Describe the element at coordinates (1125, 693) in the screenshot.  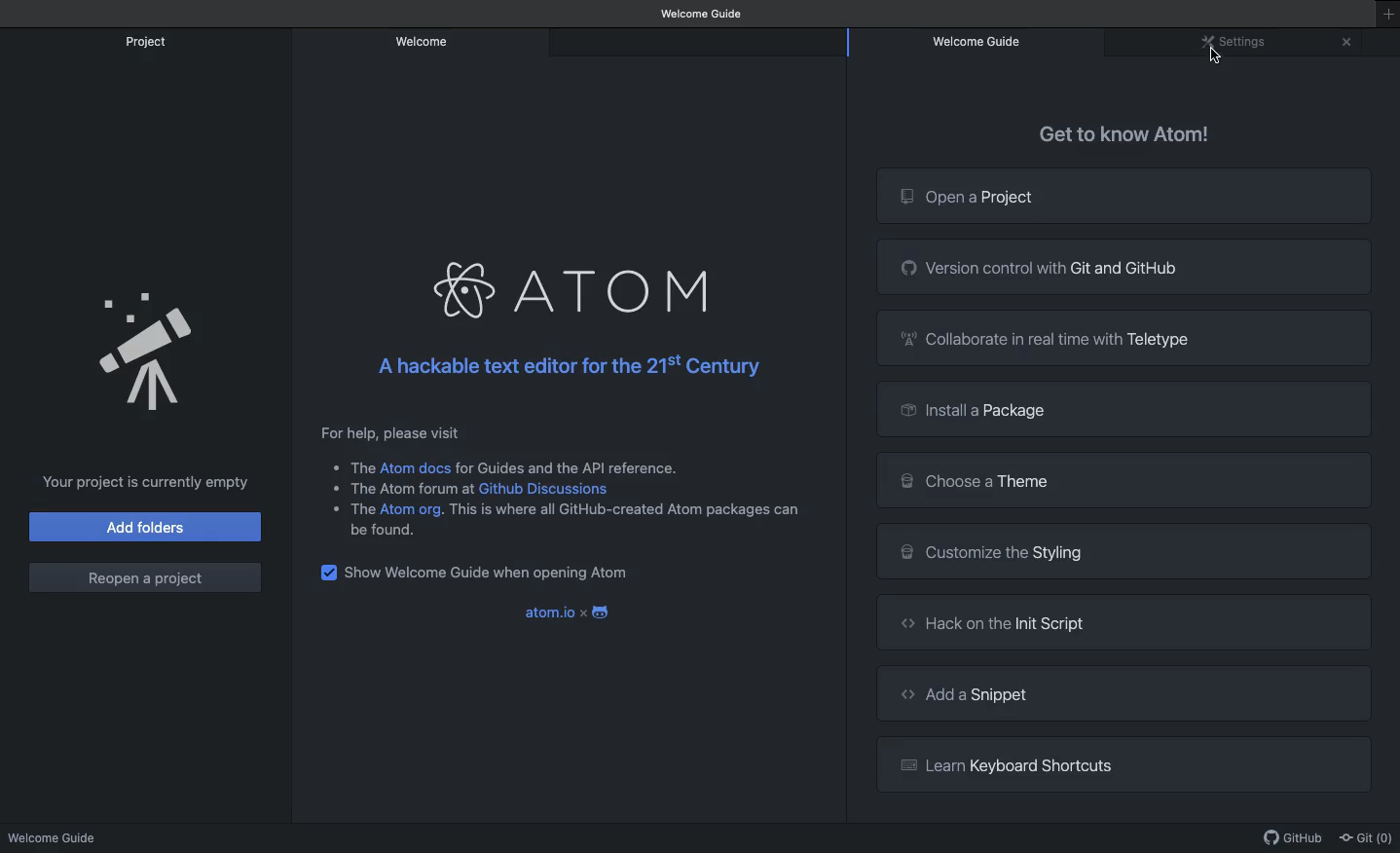
I see `Add a snippet` at that location.